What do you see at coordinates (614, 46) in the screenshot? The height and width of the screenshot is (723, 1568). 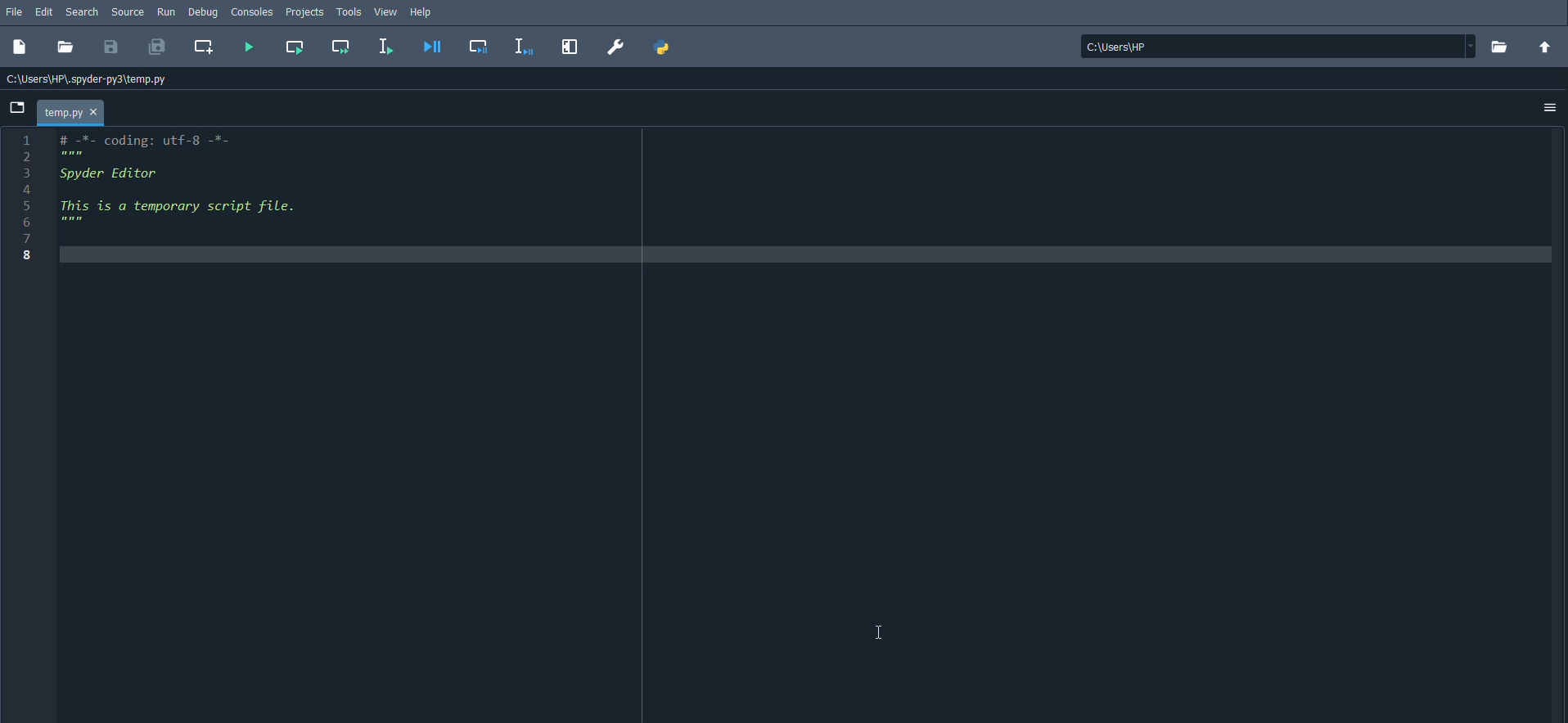 I see `Preferences` at bounding box center [614, 46].